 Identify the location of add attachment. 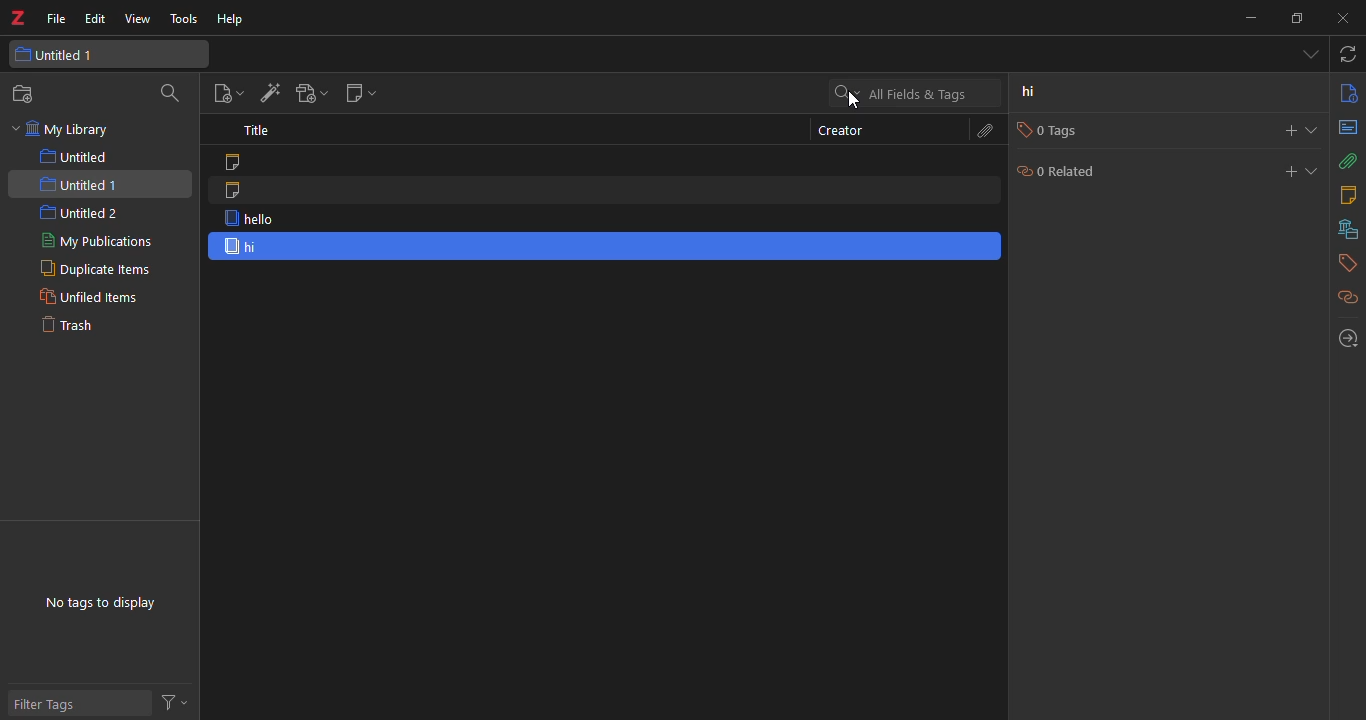
(309, 93).